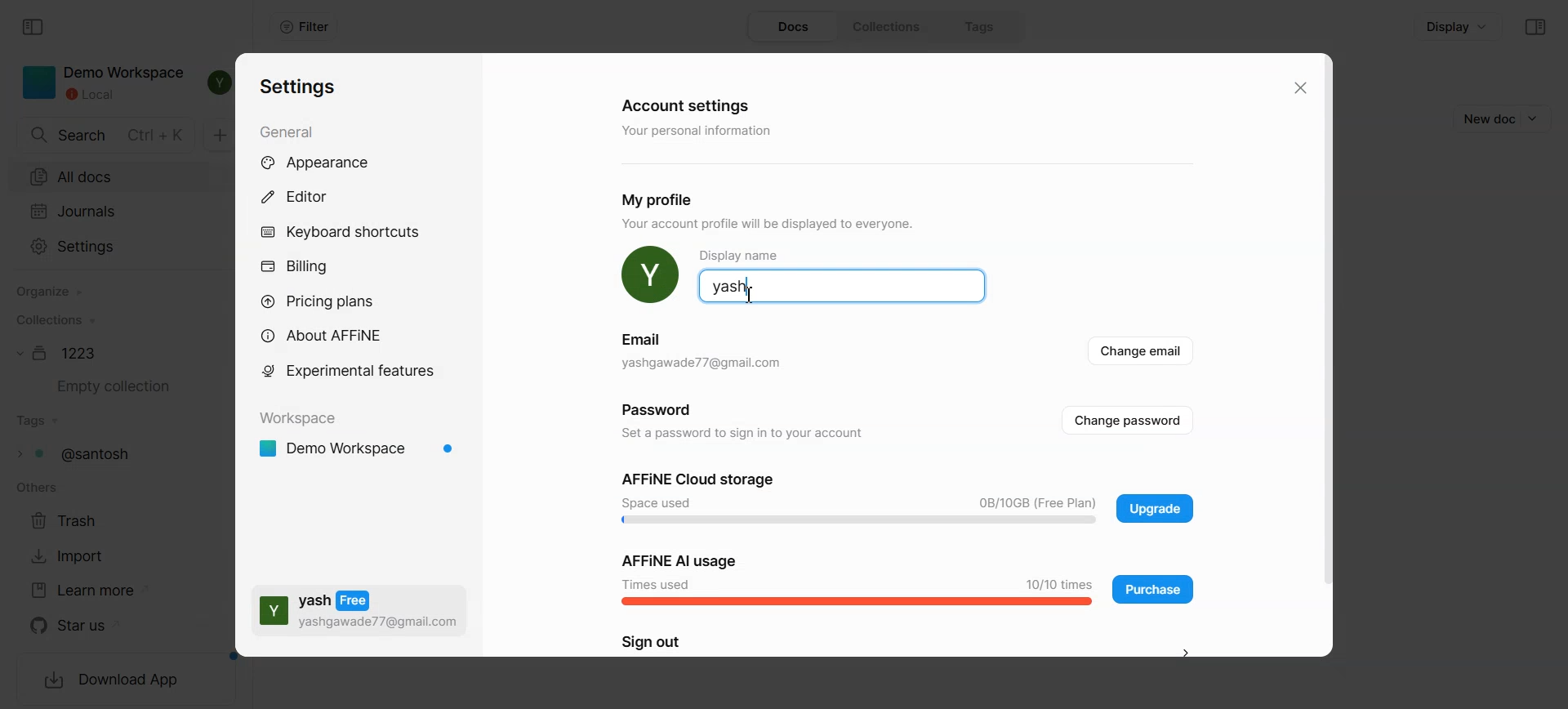 The height and width of the screenshot is (709, 1568). What do you see at coordinates (341, 231) in the screenshot?
I see `Keyboard shortcuts` at bounding box center [341, 231].